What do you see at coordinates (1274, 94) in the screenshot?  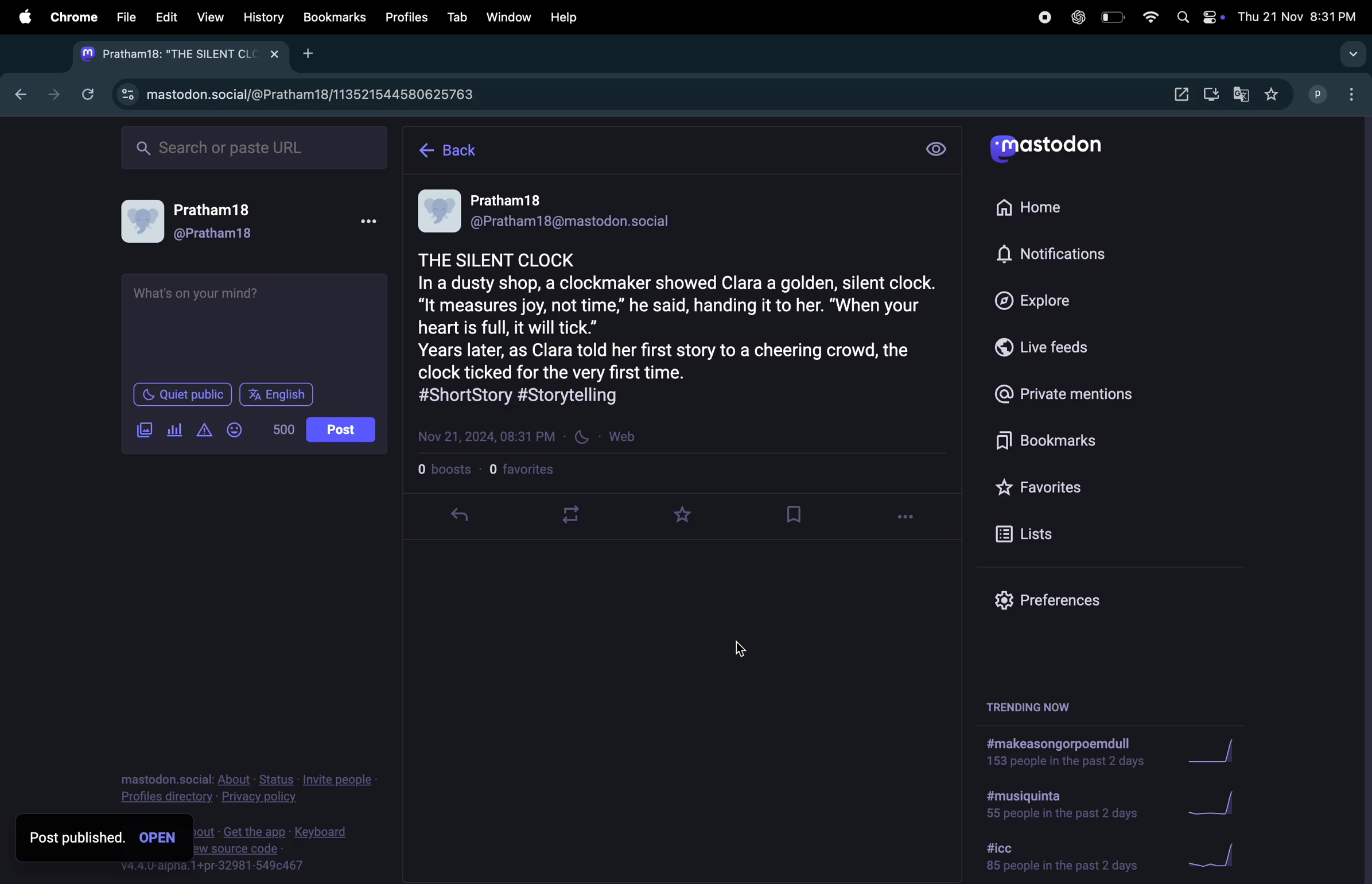 I see `favourites` at bounding box center [1274, 94].